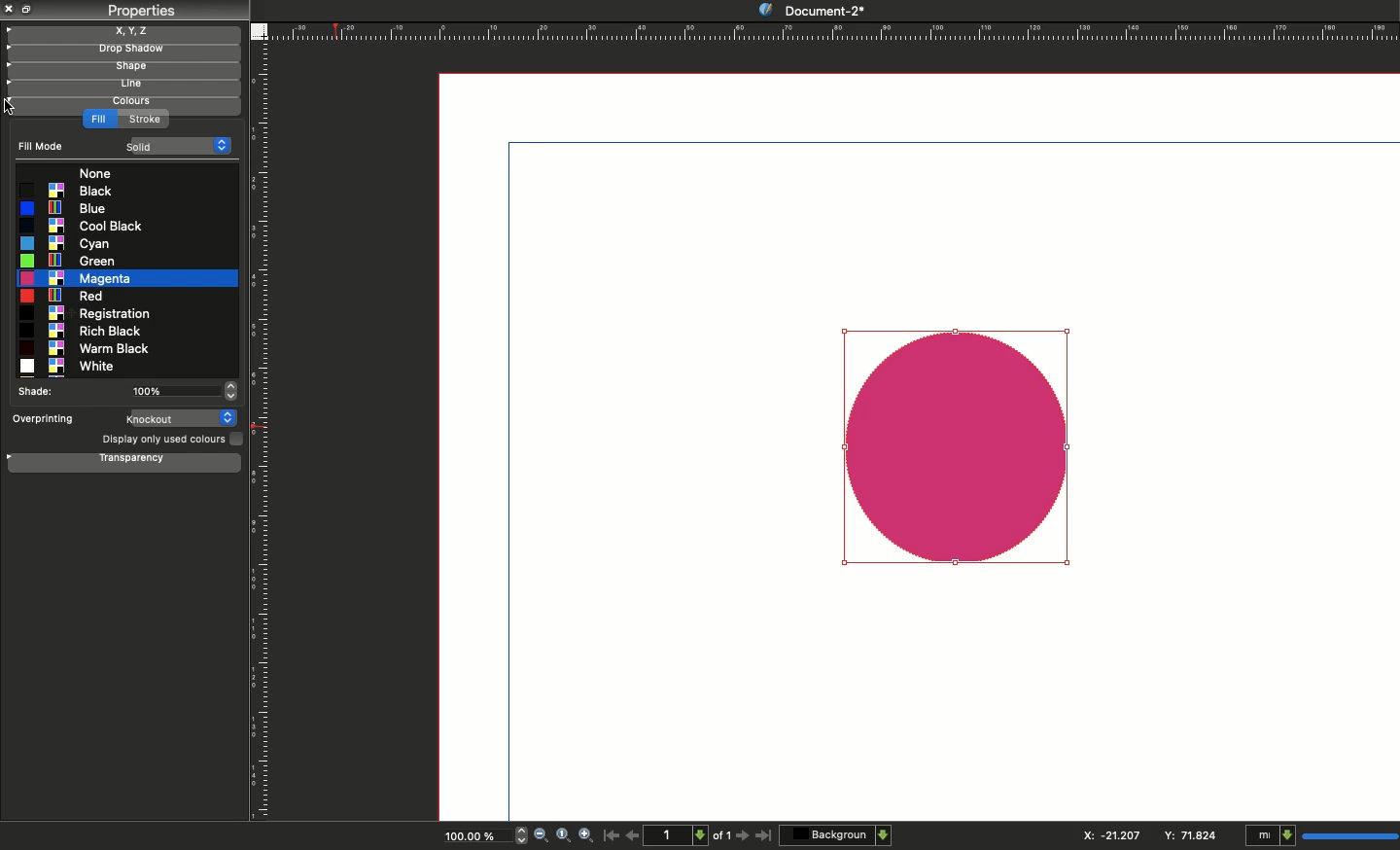  Describe the element at coordinates (46, 419) in the screenshot. I see `Overprinting` at that location.